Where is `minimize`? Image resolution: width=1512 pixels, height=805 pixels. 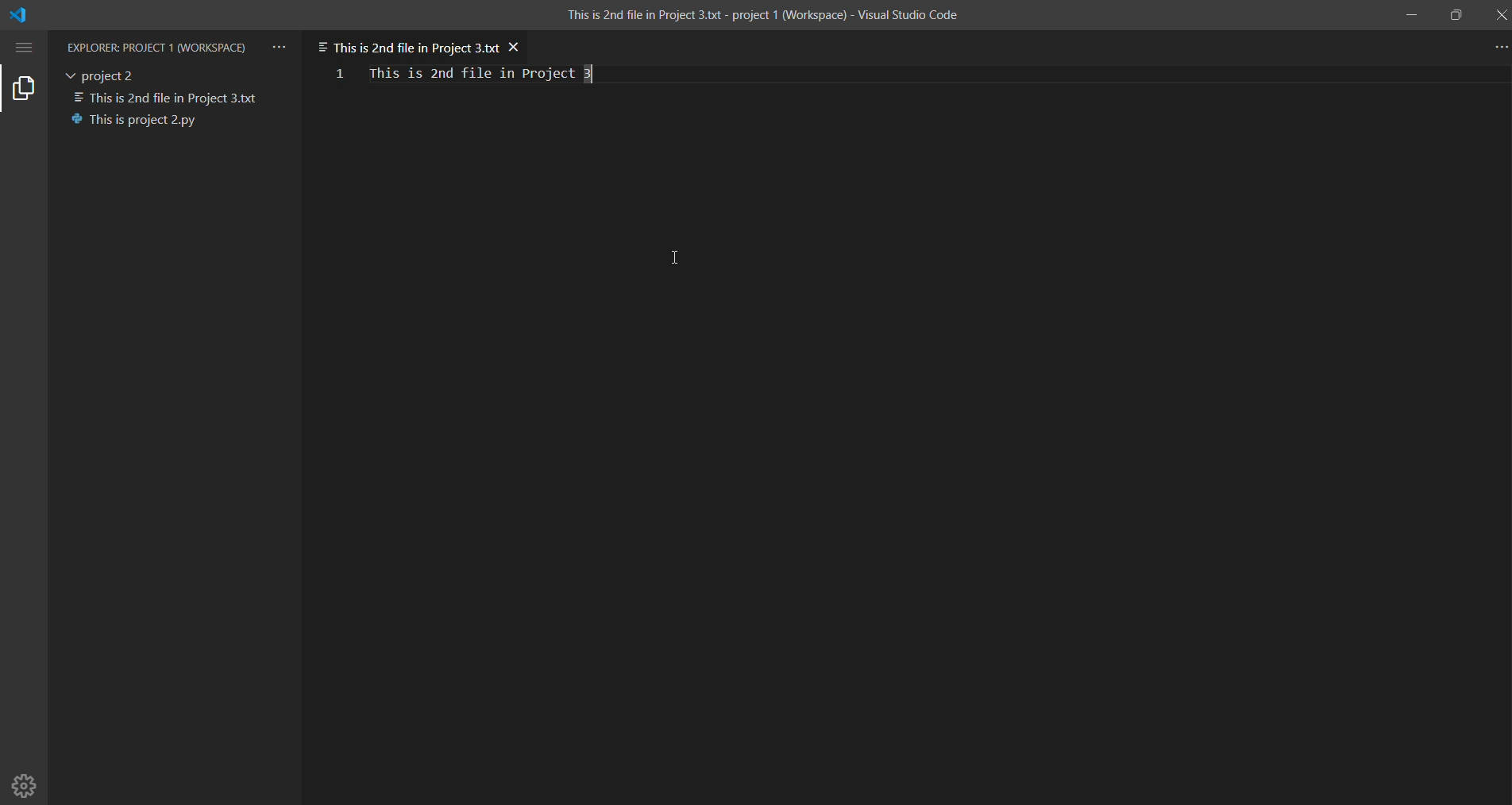 minimize is located at coordinates (1410, 16).